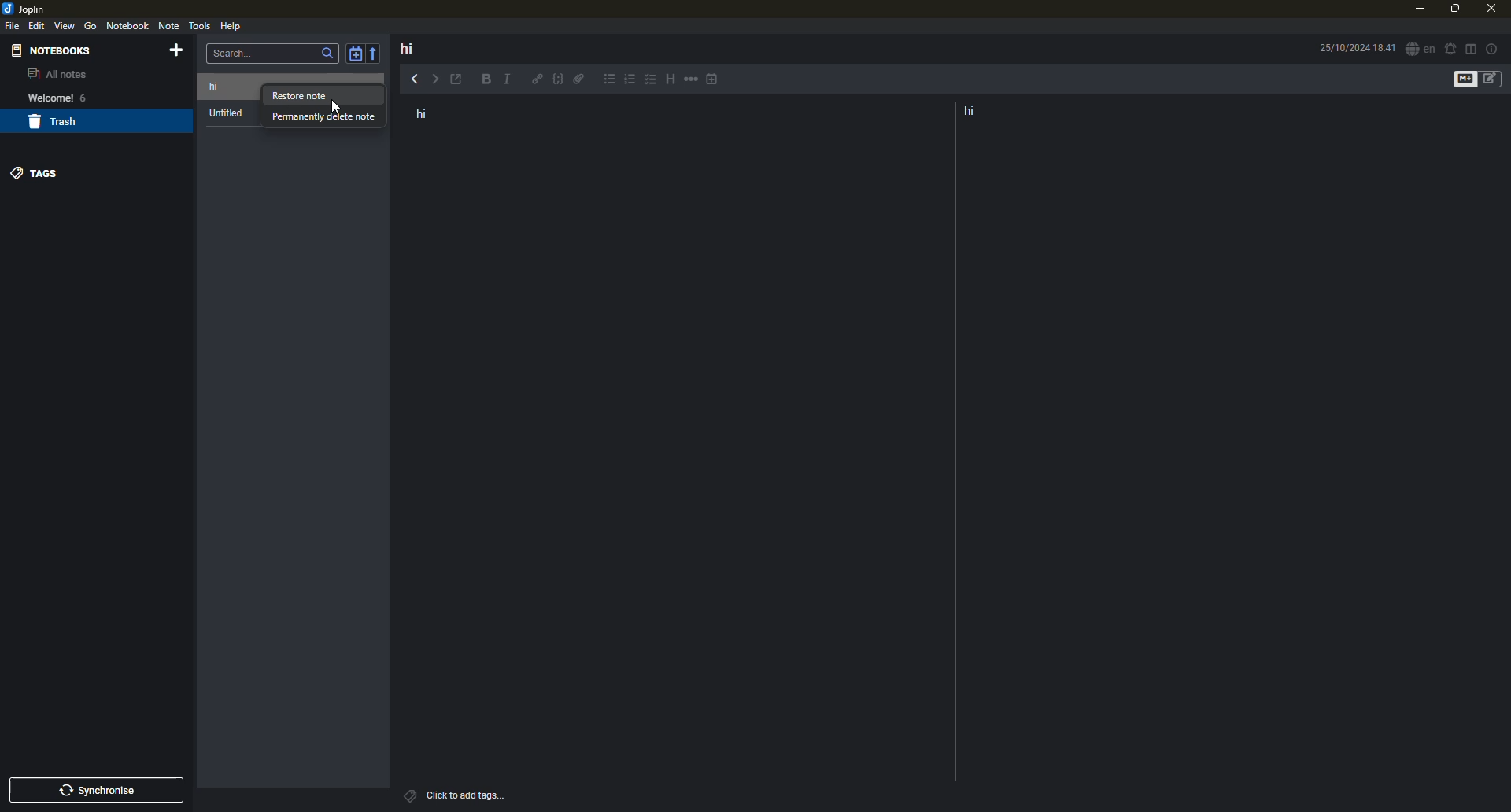  What do you see at coordinates (91, 26) in the screenshot?
I see `go` at bounding box center [91, 26].